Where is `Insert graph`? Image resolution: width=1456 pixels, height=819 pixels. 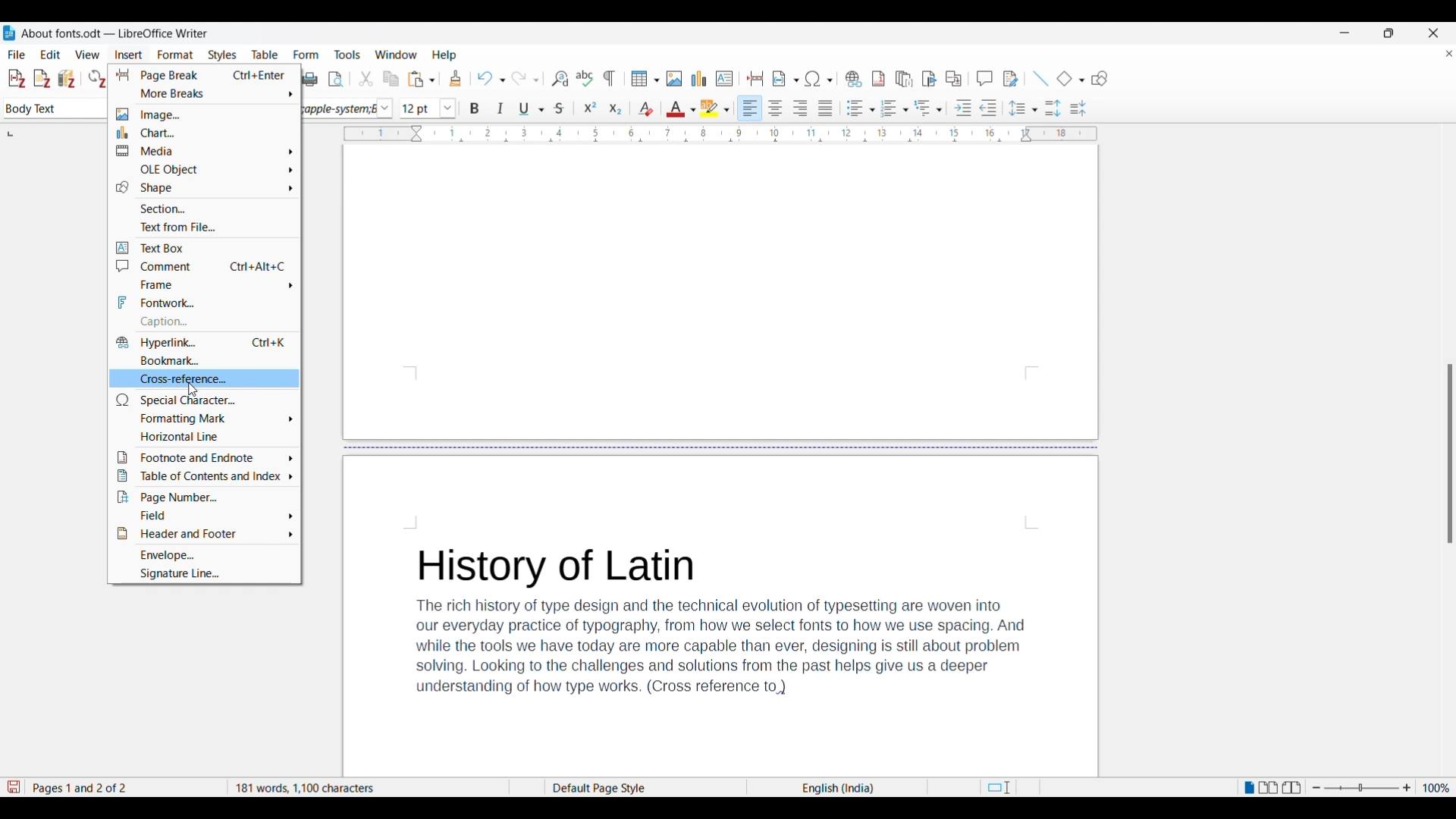
Insert graph is located at coordinates (700, 78).